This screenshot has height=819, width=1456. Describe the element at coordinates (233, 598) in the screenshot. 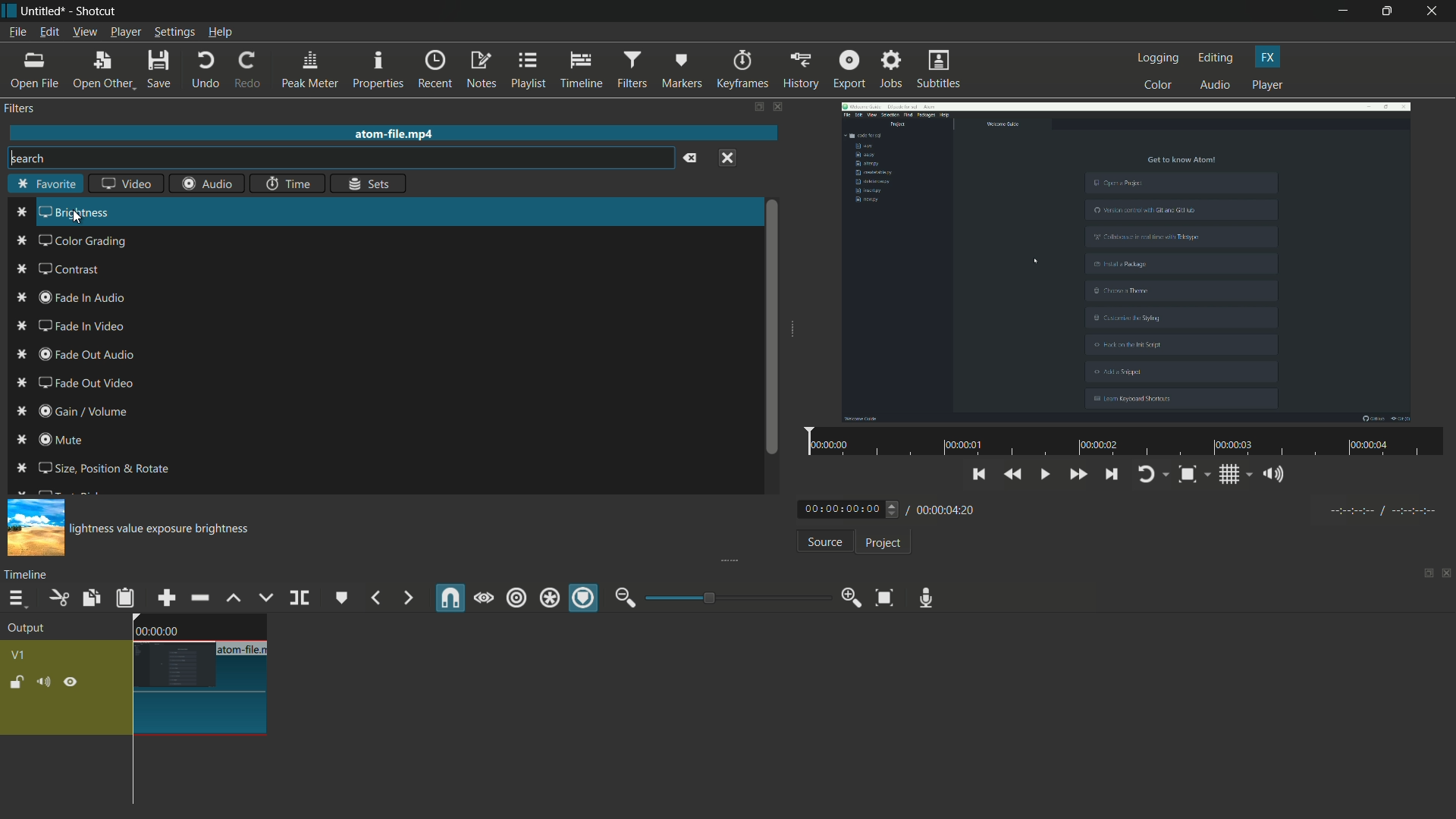

I see `lift` at that location.